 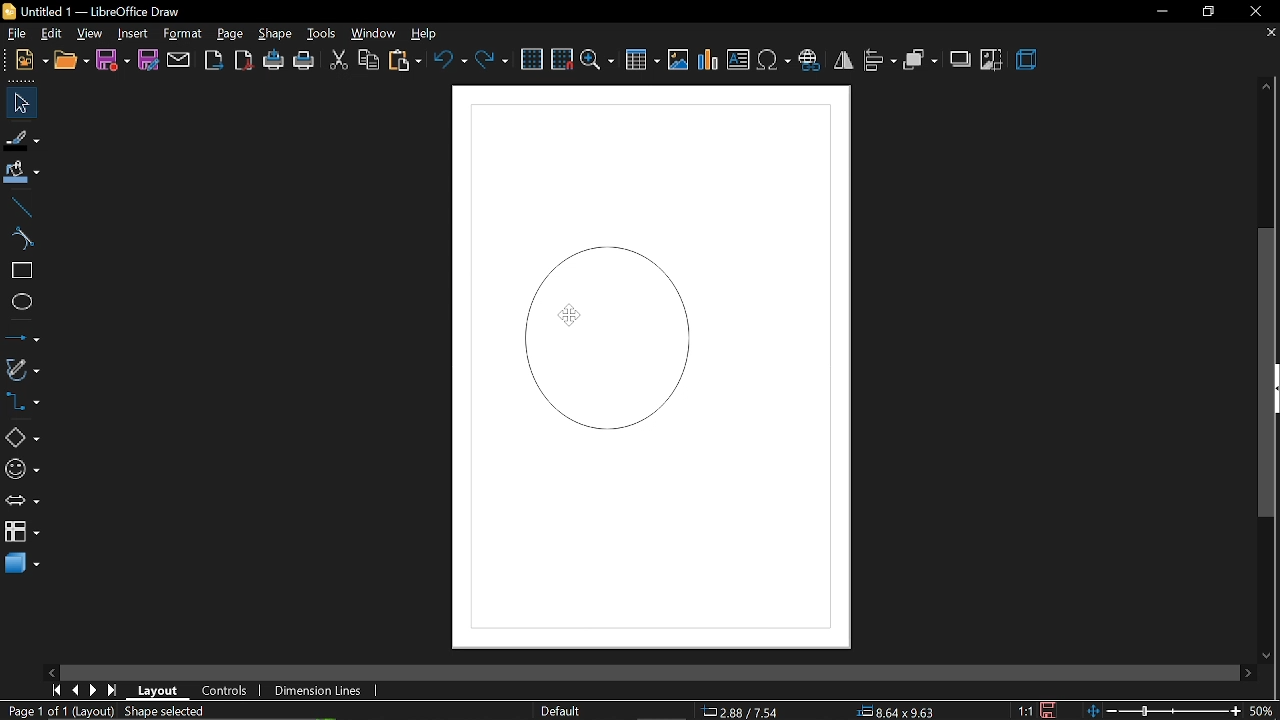 I want to click on flowchart, so click(x=20, y=530).